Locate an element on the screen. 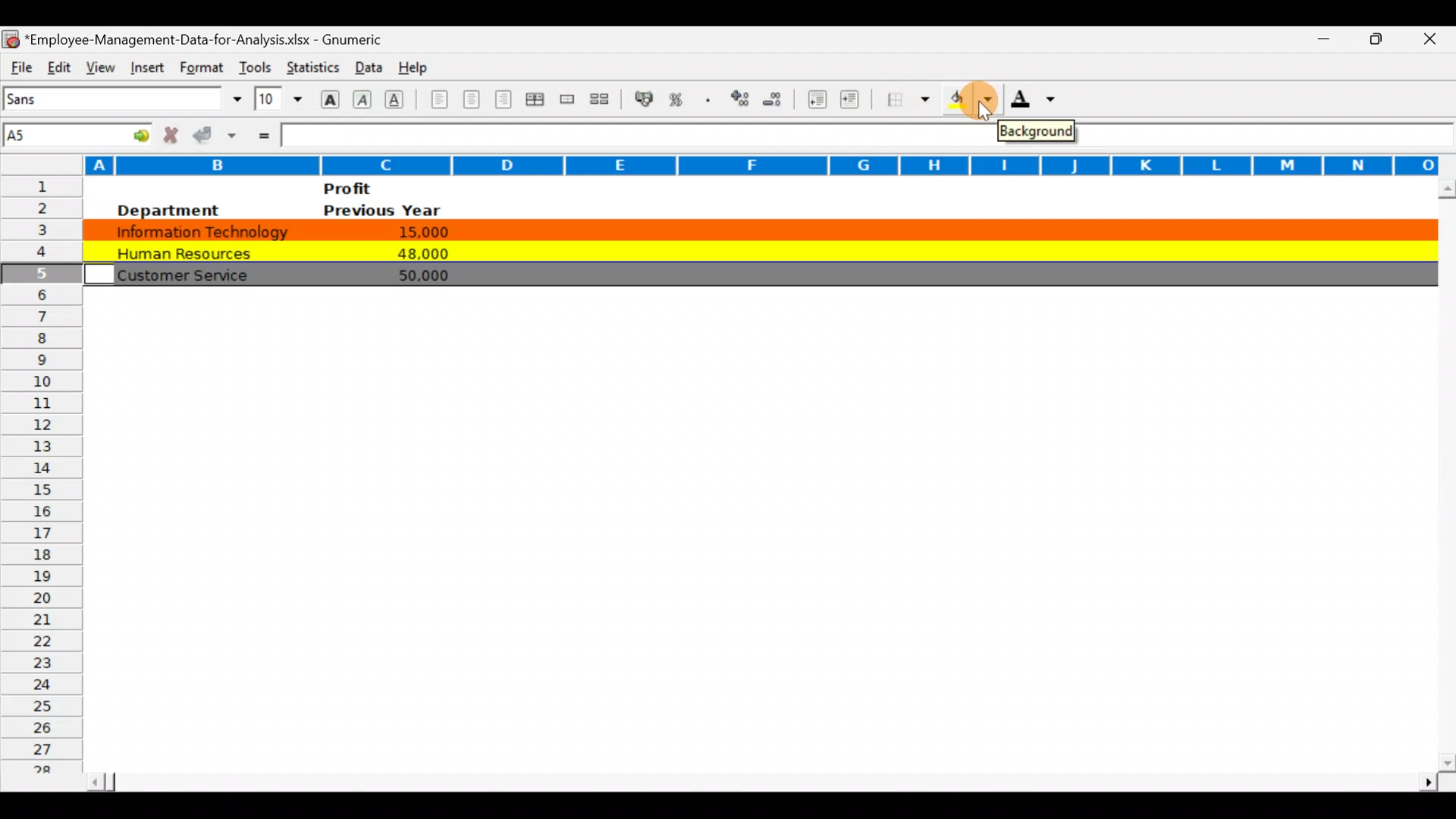 The height and width of the screenshot is (819, 1456). Help is located at coordinates (414, 64).